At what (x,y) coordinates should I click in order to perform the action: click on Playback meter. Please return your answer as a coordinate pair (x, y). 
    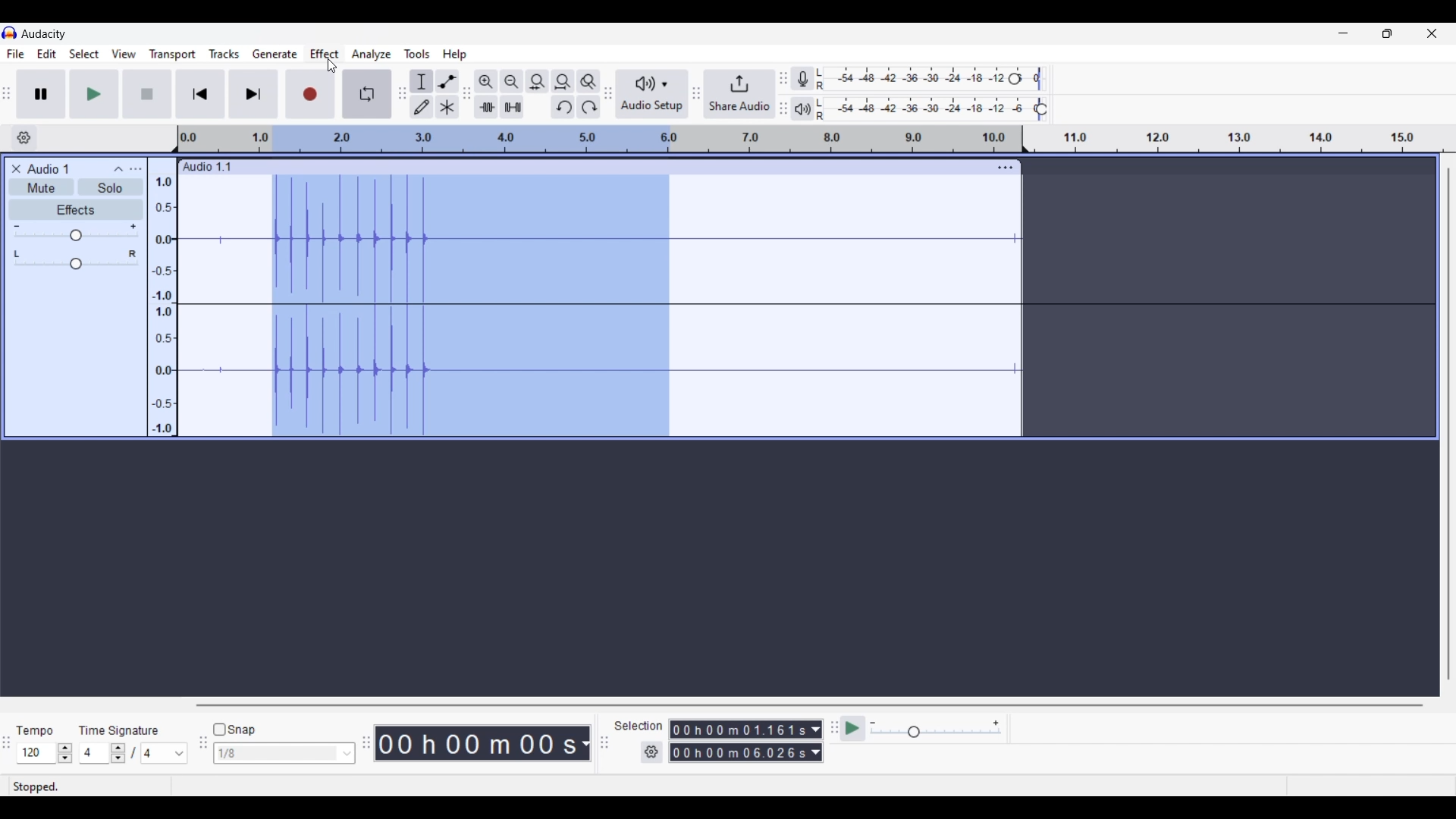
    Looking at the image, I should click on (802, 109).